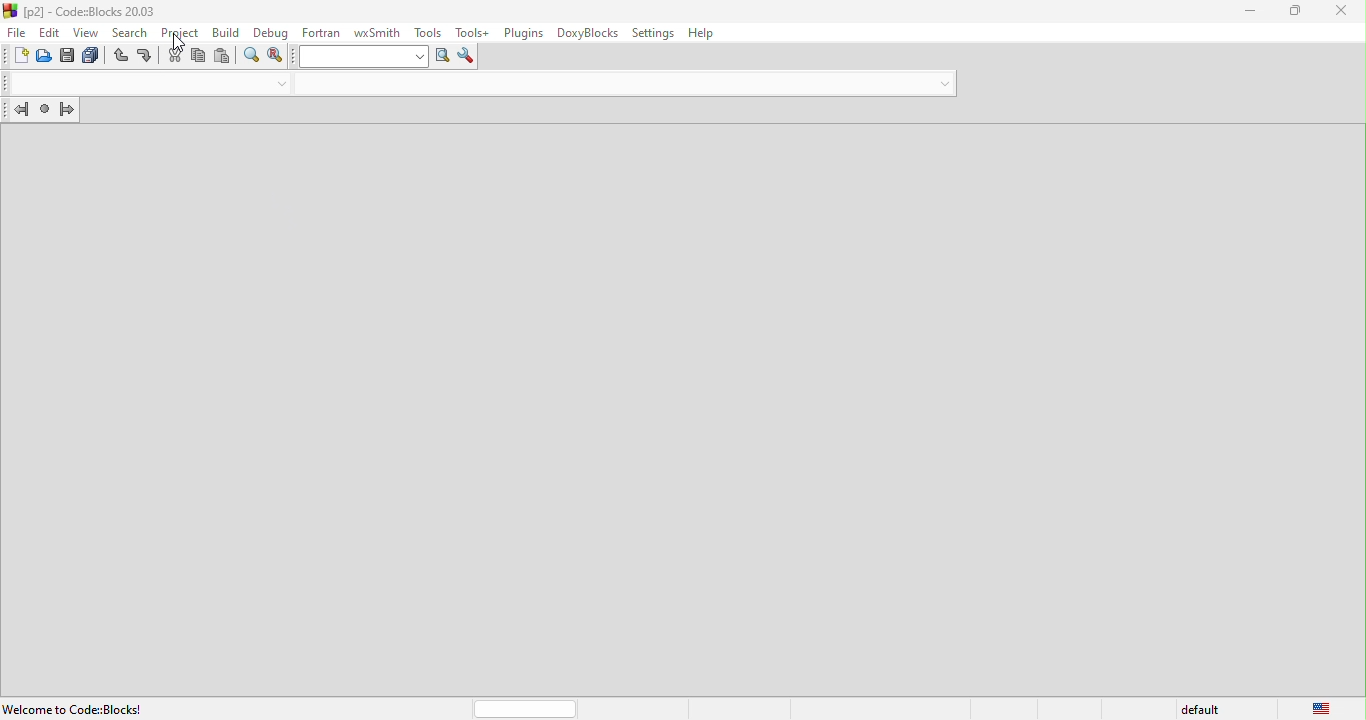 This screenshot has width=1366, height=720. Describe the element at coordinates (425, 31) in the screenshot. I see `tools` at that location.